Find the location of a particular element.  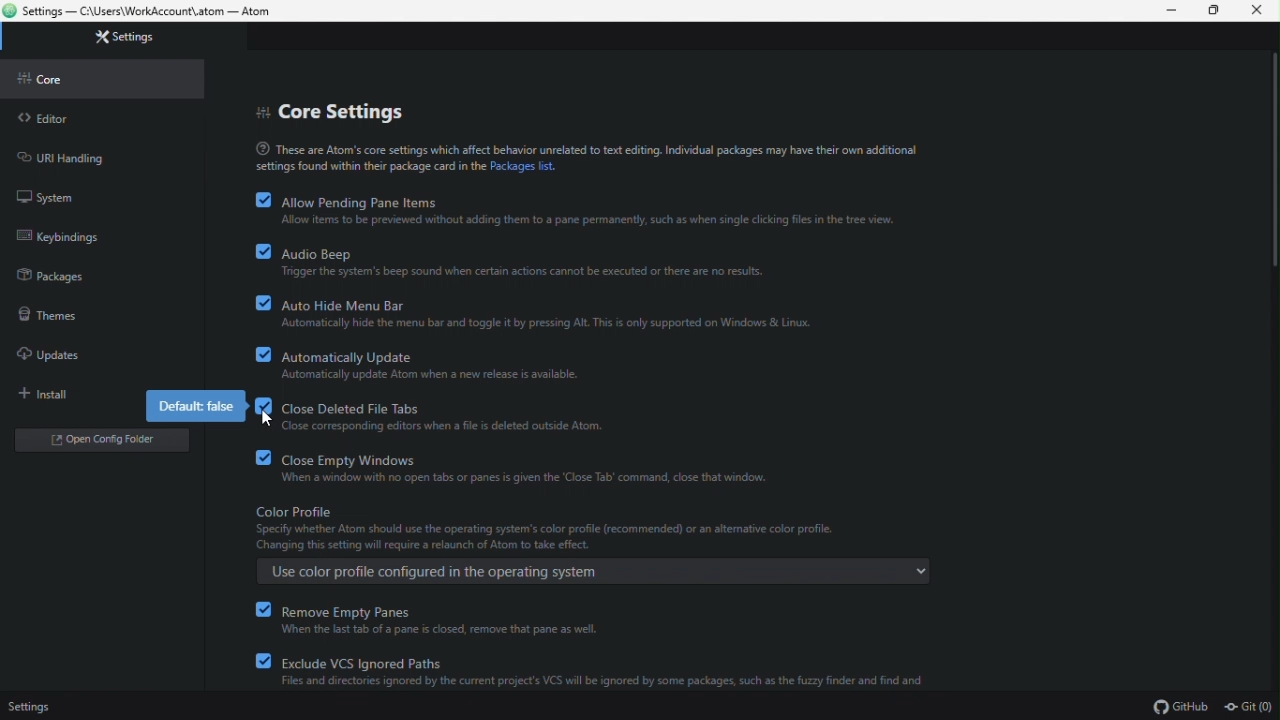

settings is located at coordinates (32, 708).